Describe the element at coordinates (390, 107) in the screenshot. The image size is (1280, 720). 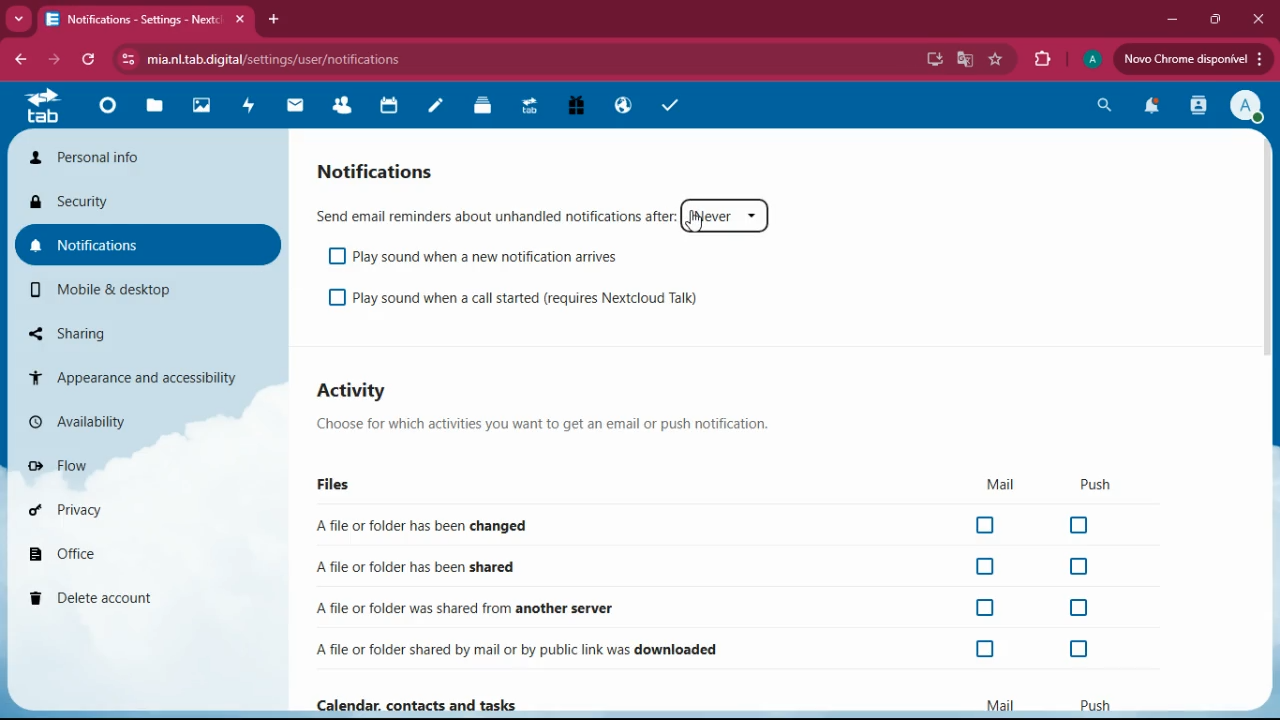
I see `calendar` at that location.